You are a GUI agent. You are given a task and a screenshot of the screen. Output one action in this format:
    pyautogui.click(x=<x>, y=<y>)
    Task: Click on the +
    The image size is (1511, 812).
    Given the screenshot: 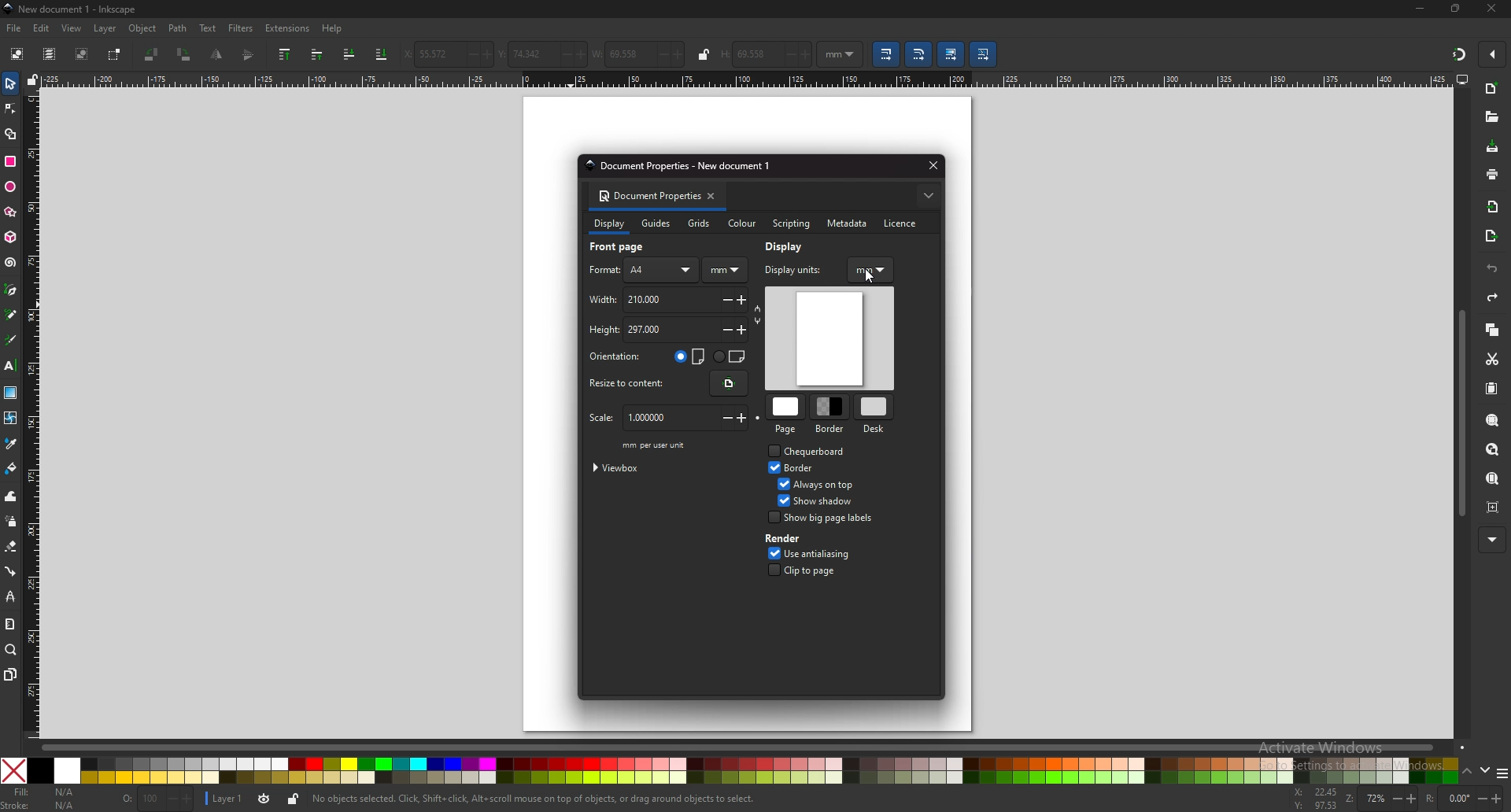 What is the action you would take?
    pyautogui.click(x=745, y=418)
    